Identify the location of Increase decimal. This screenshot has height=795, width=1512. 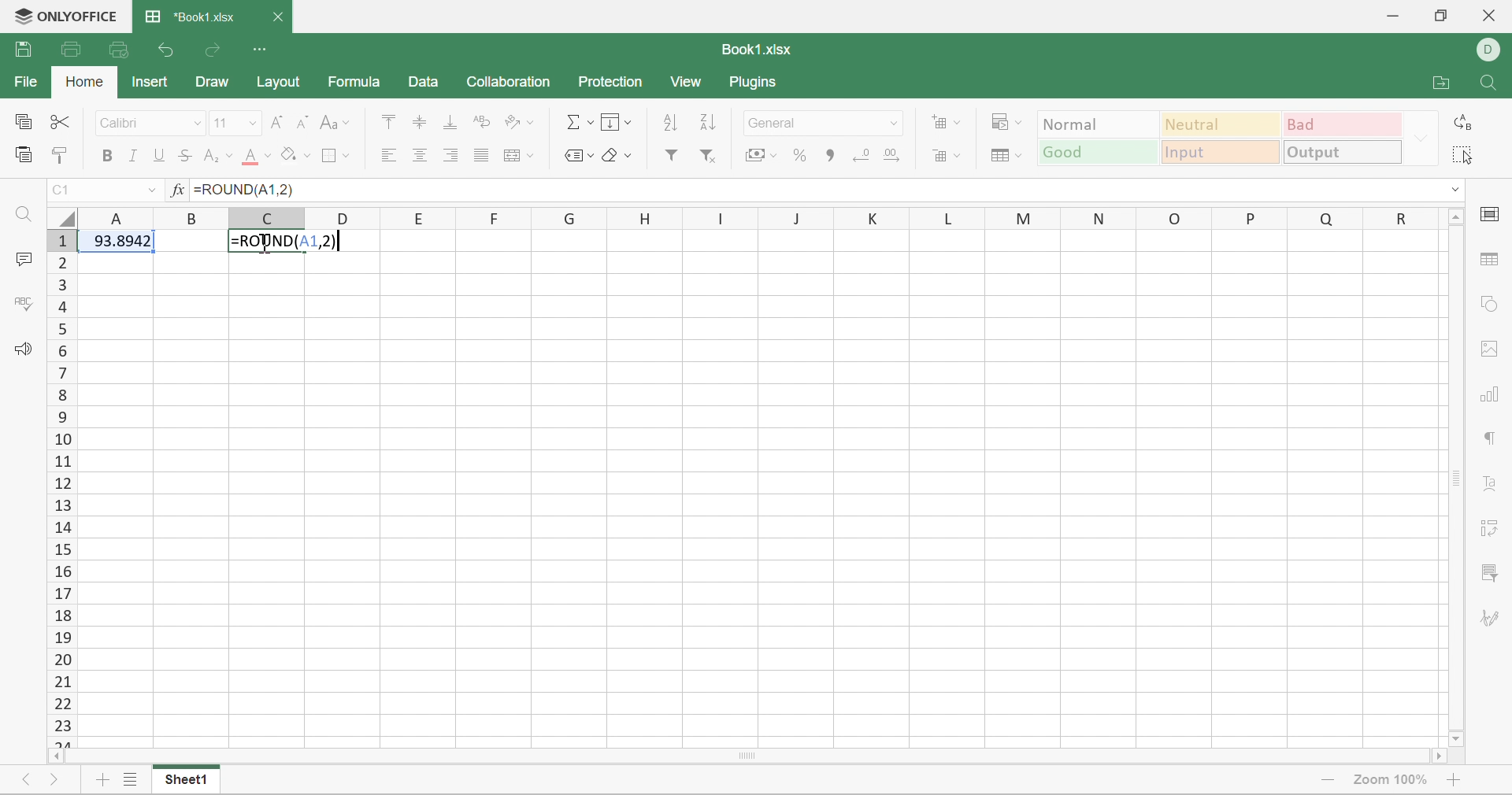
(895, 152).